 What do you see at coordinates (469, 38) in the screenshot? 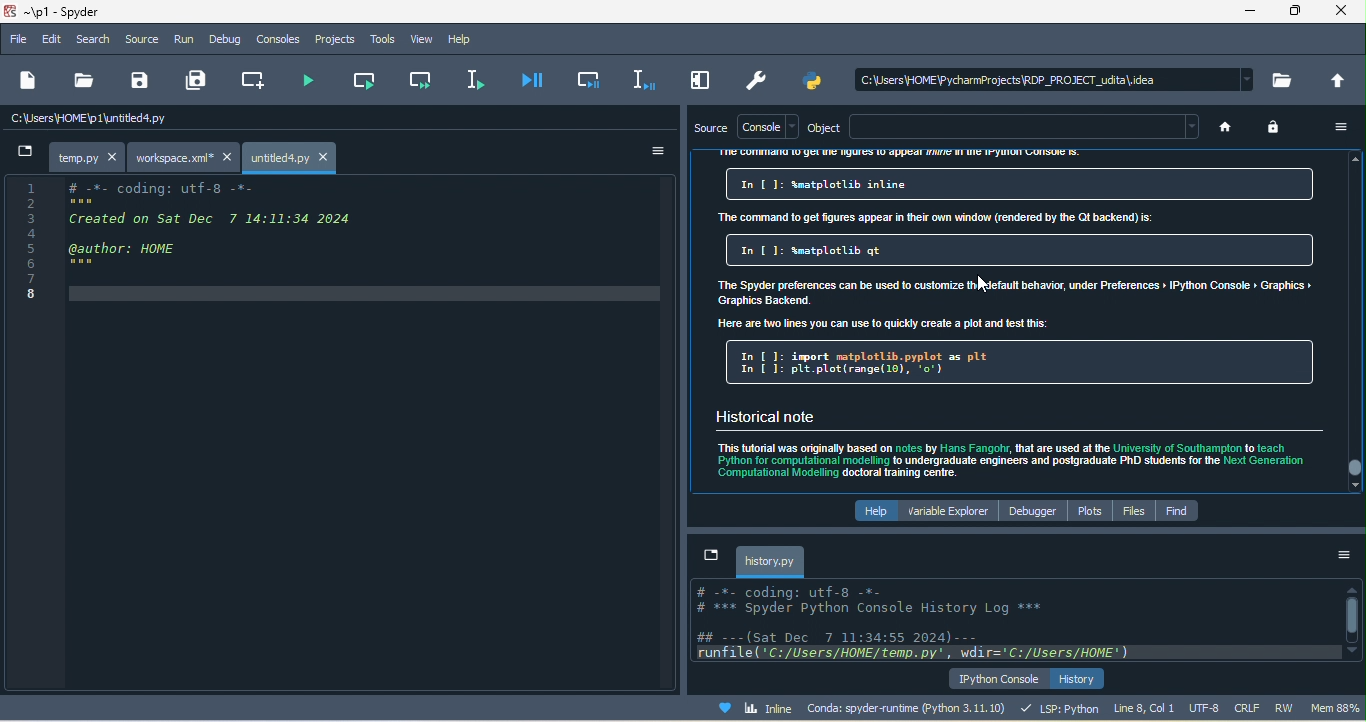
I see `help` at bounding box center [469, 38].